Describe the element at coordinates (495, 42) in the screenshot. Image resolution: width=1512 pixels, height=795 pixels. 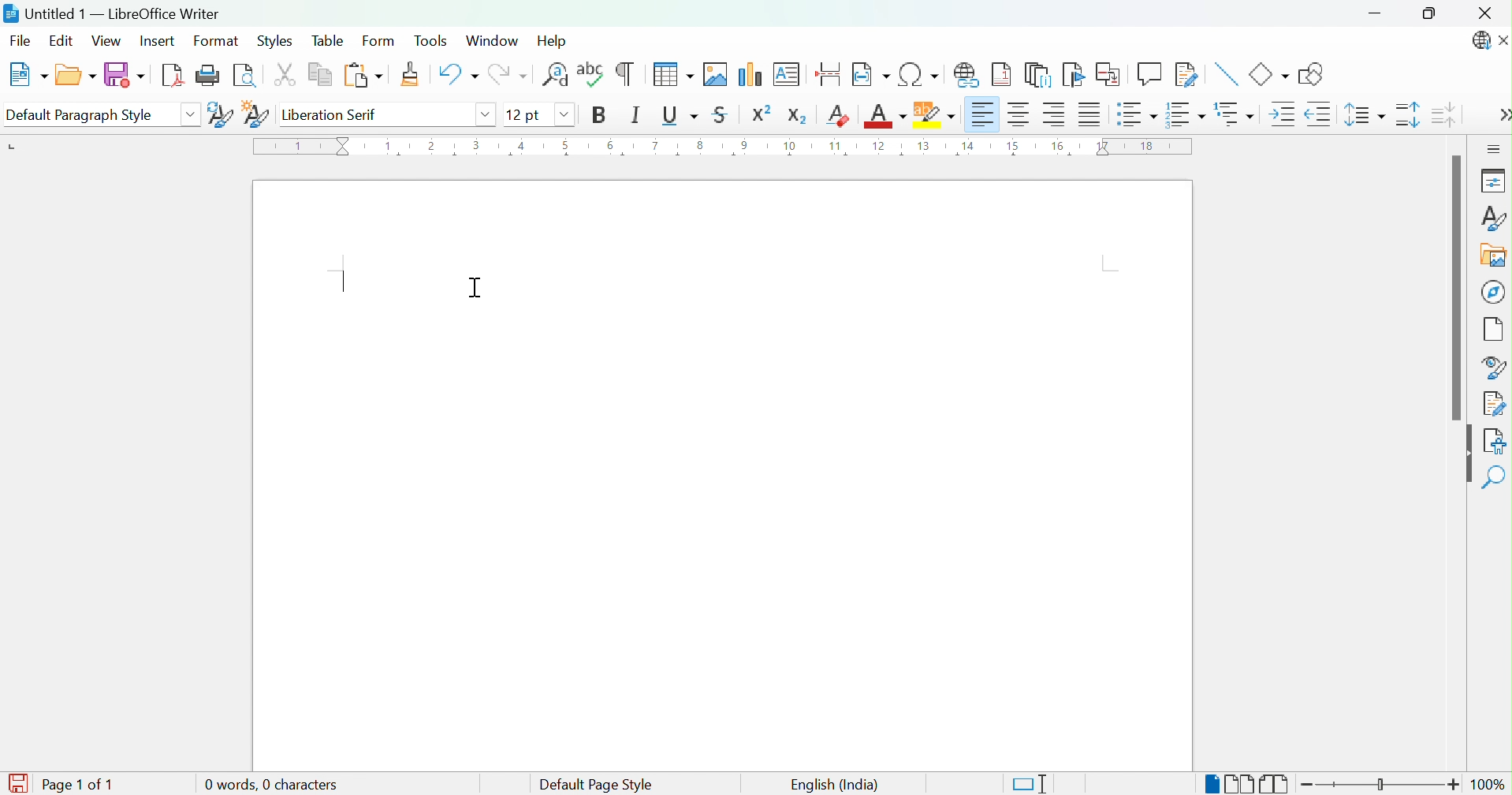
I see `Window` at that location.